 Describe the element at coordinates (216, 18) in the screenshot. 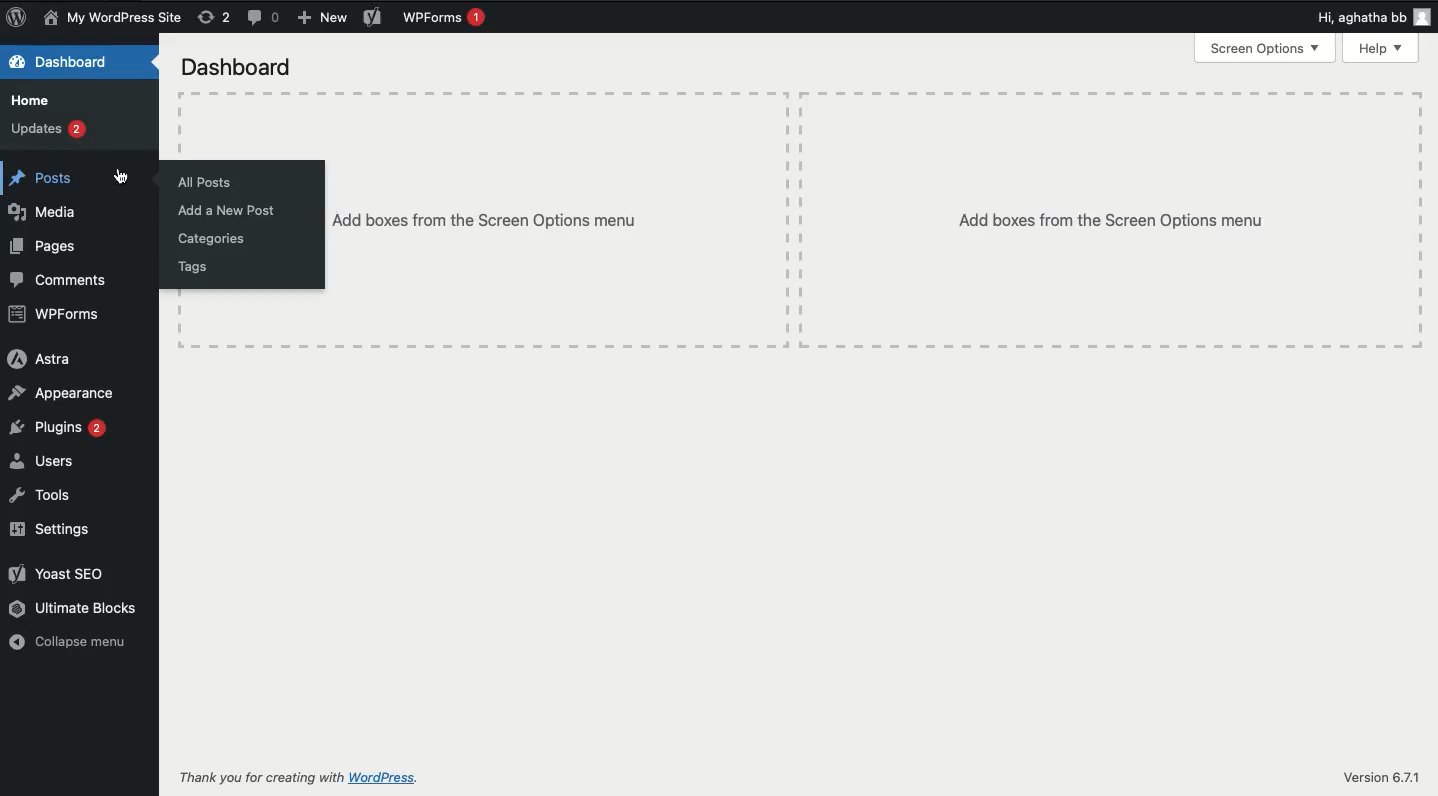

I see `Revisions` at that location.